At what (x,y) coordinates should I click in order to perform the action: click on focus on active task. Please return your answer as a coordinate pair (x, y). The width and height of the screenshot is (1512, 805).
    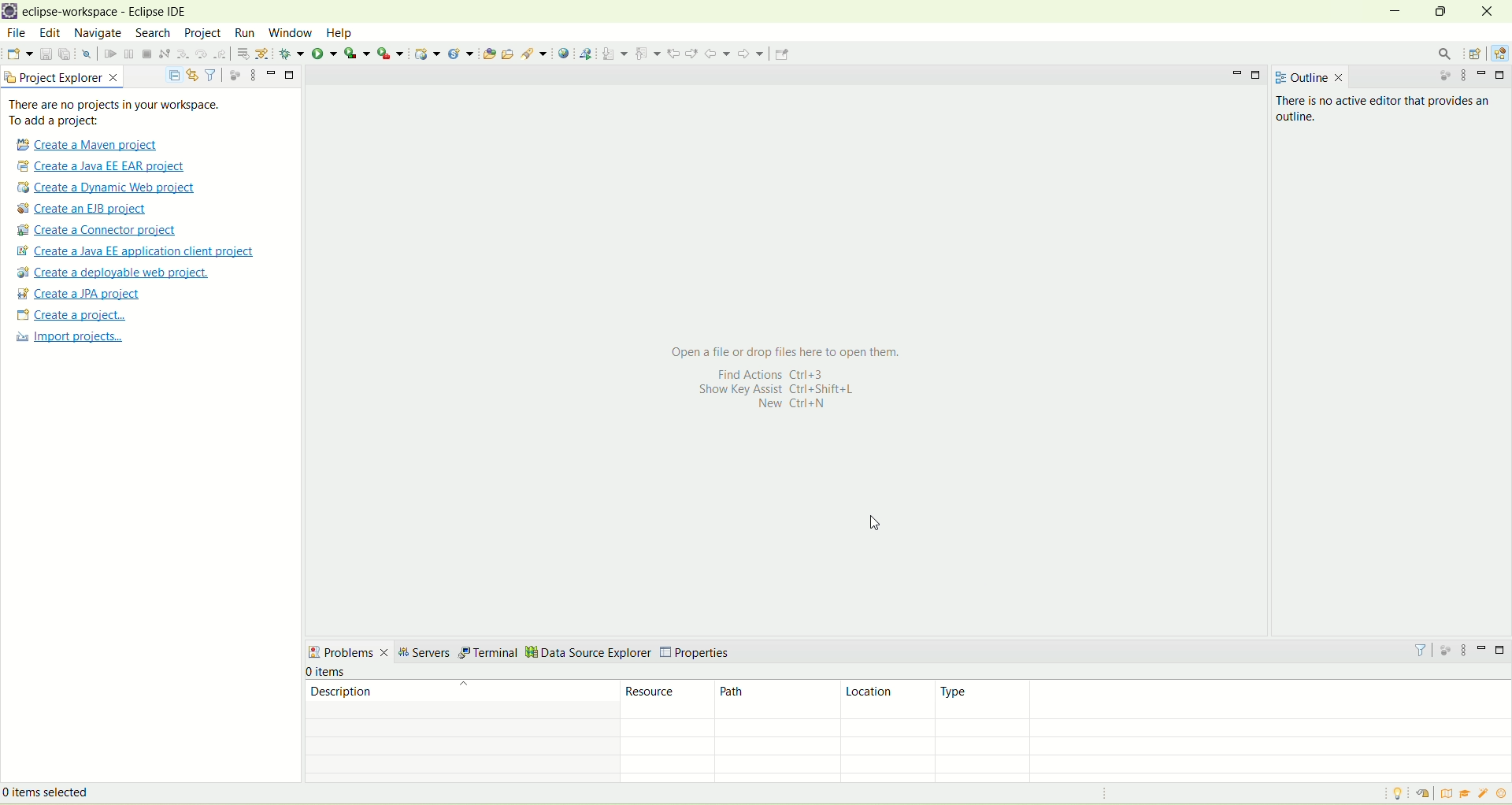
    Looking at the image, I should click on (1447, 651).